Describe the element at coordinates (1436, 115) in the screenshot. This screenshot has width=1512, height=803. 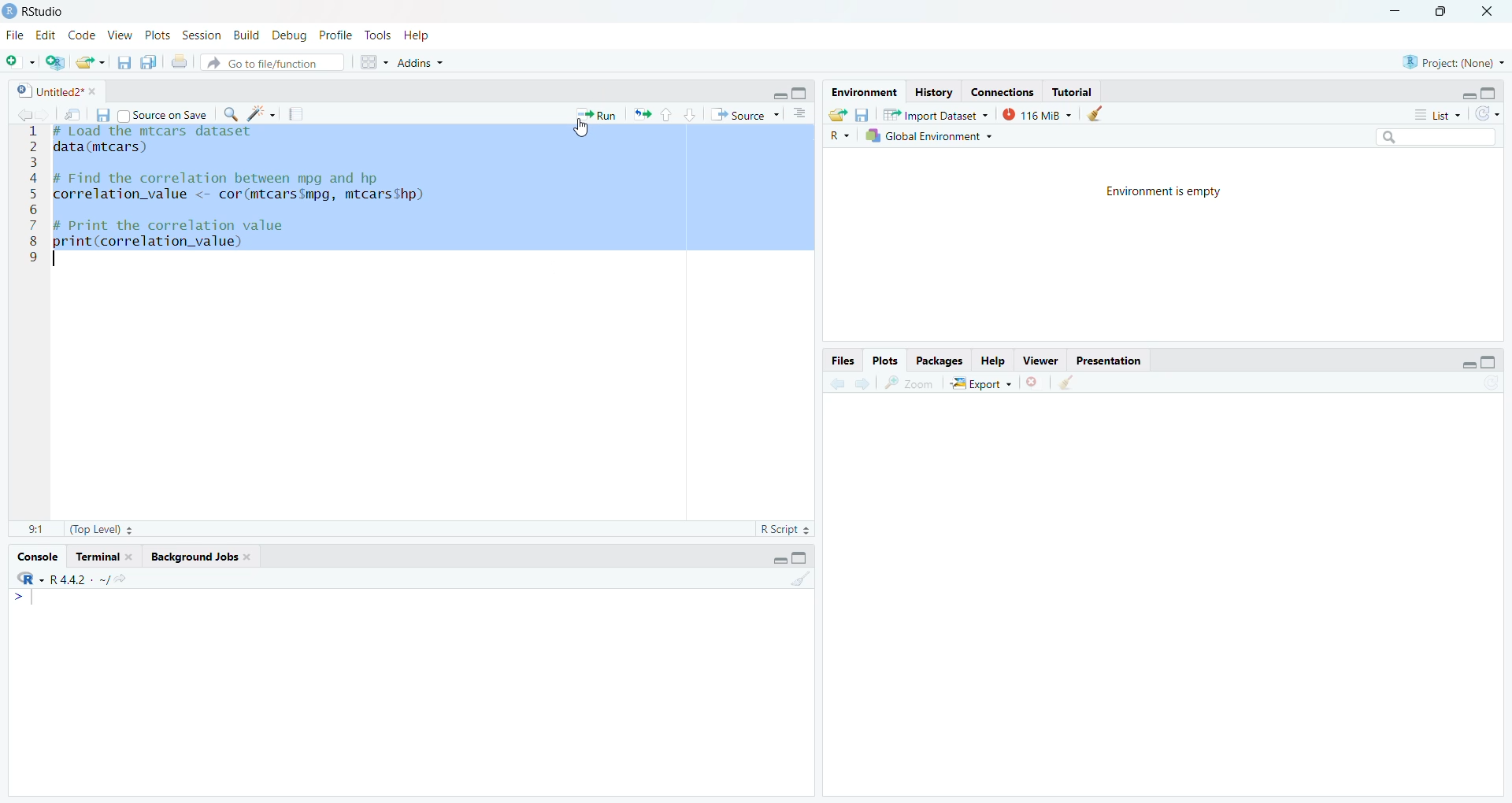
I see `List` at that location.